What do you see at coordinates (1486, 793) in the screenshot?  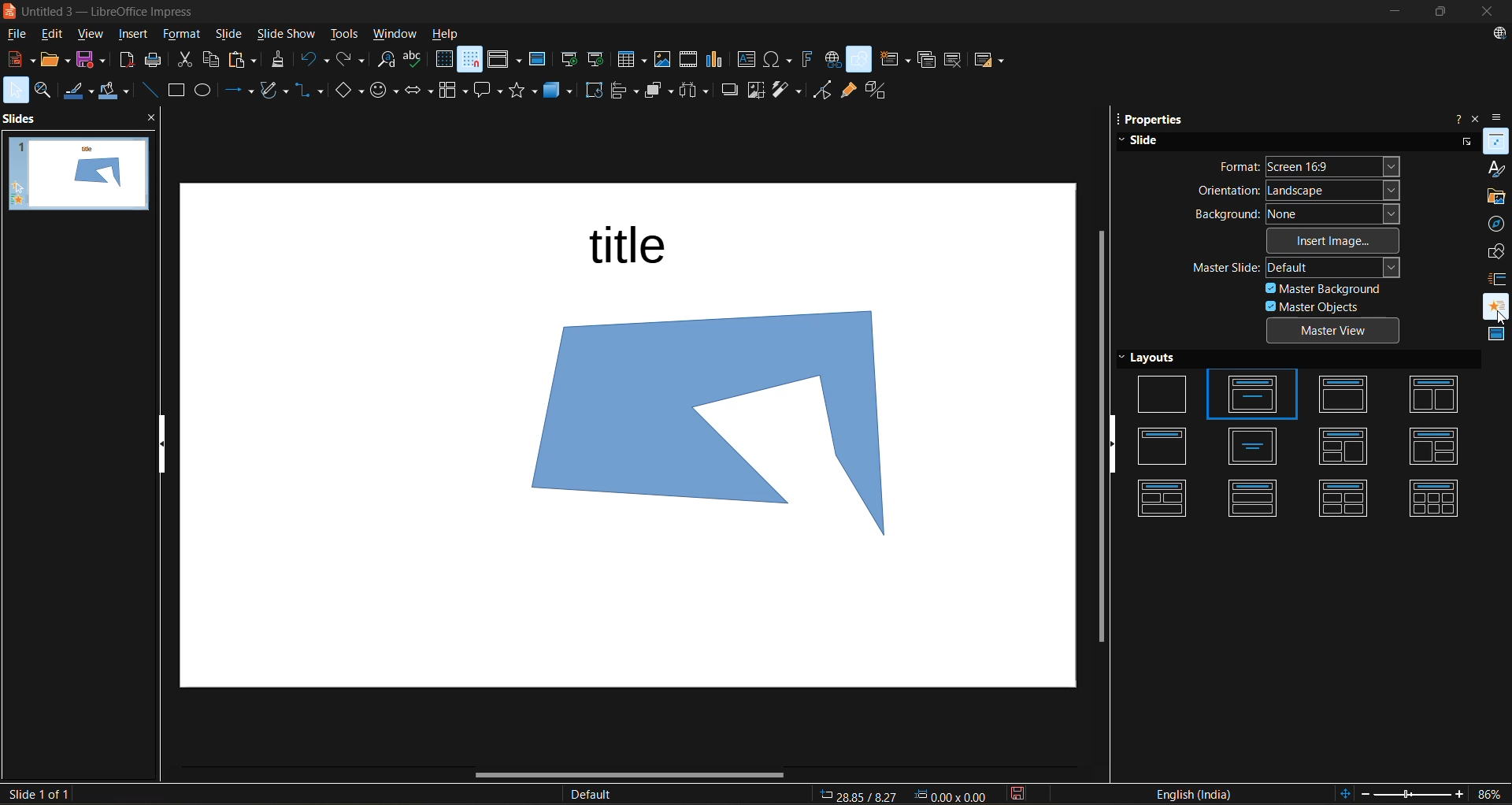 I see `zoom factor` at bounding box center [1486, 793].